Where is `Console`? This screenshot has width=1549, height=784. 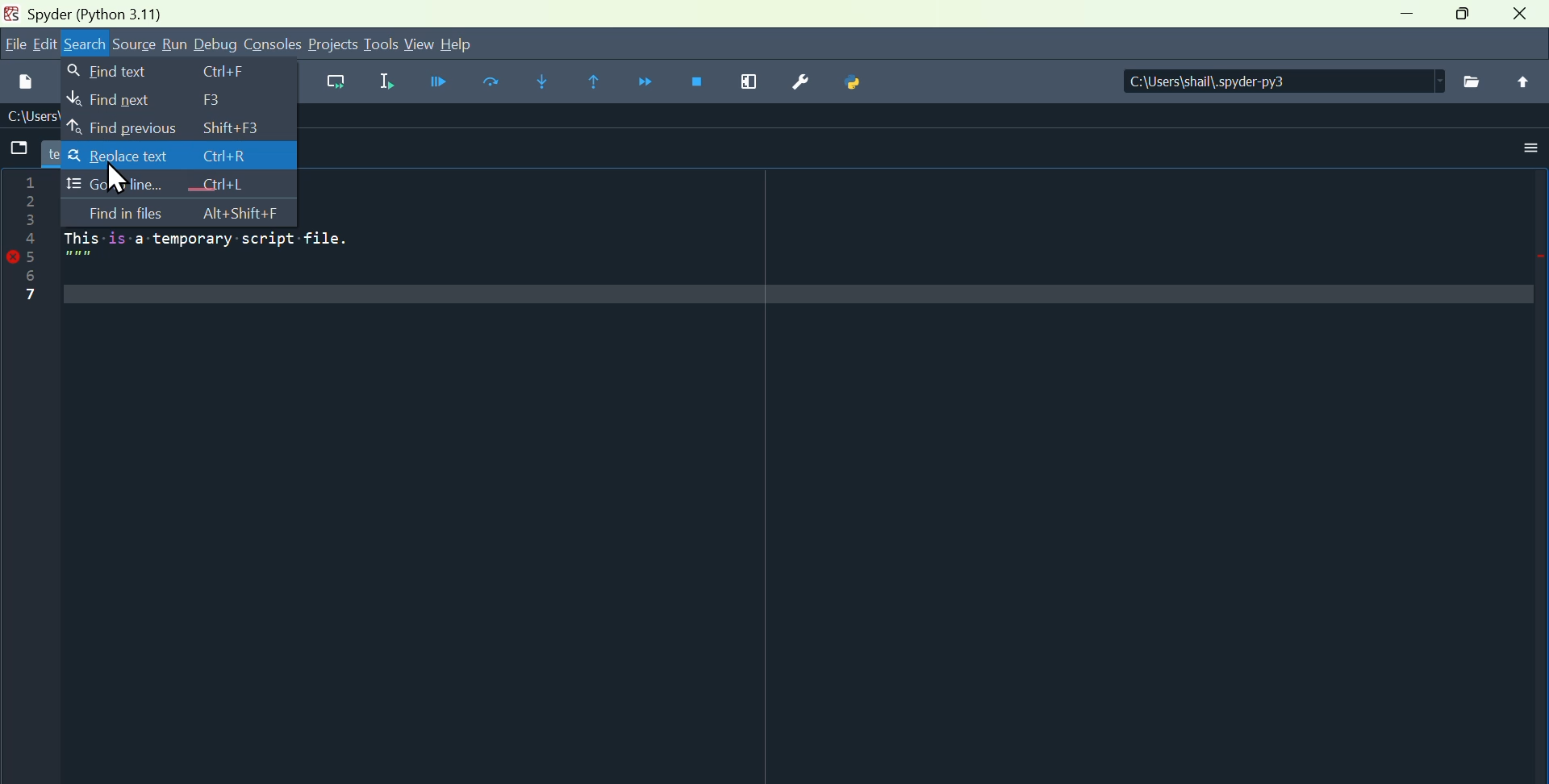
Console is located at coordinates (274, 45).